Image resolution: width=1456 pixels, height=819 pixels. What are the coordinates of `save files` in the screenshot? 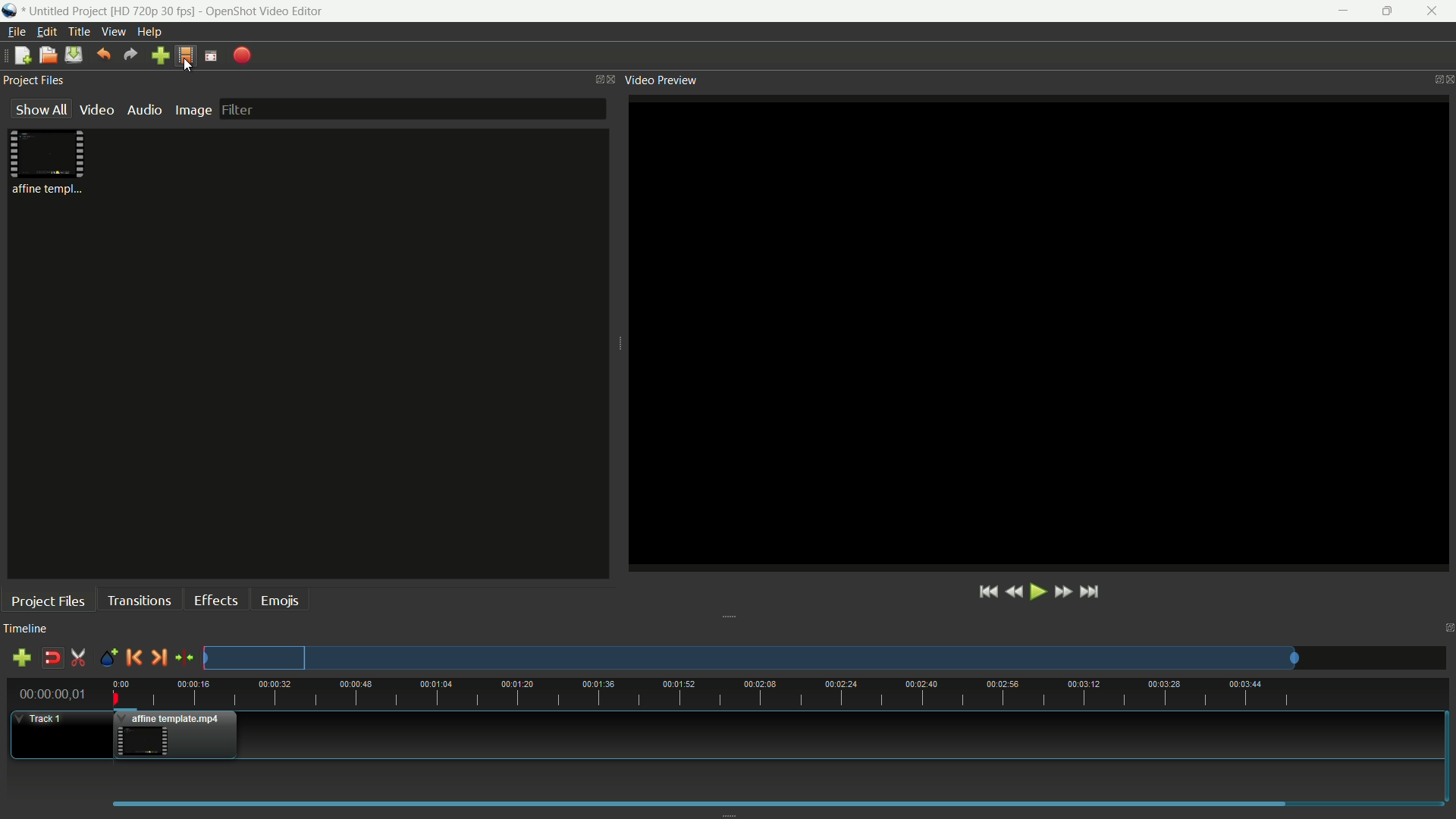 It's located at (73, 55).